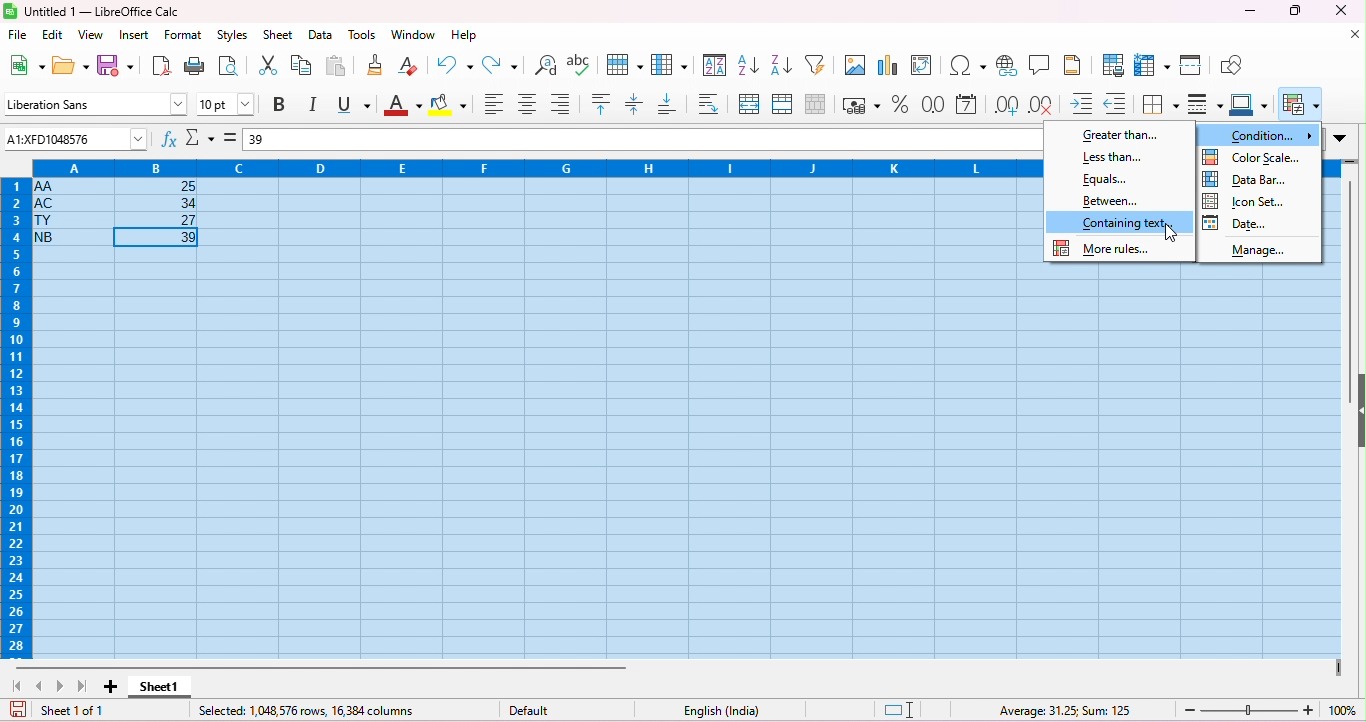 The height and width of the screenshot is (722, 1366). What do you see at coordinates (361, 35) in the screenshot?
I see `tools` at bounding box center [361, 35].